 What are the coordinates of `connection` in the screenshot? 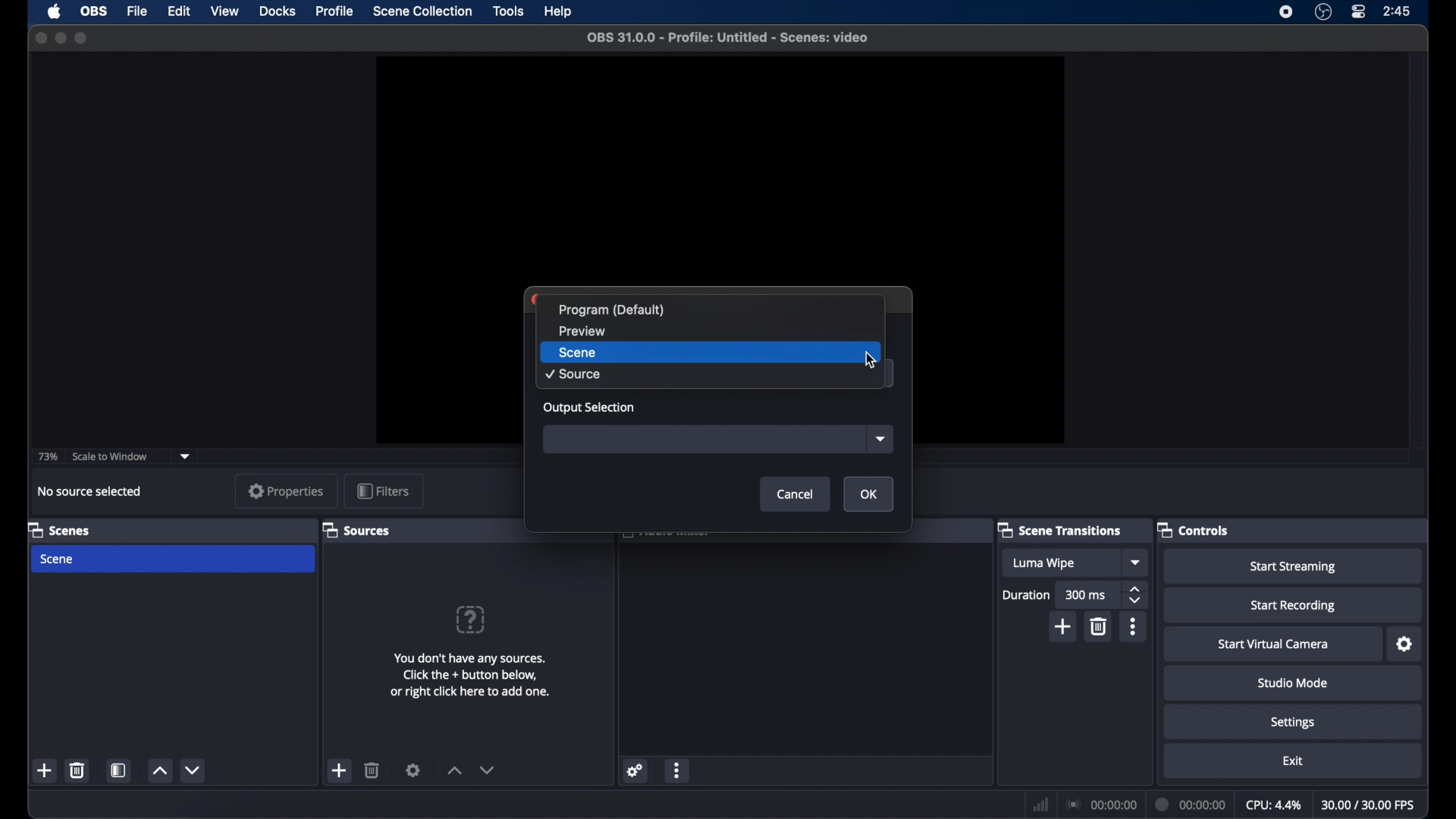 It's located at (1100, 804).